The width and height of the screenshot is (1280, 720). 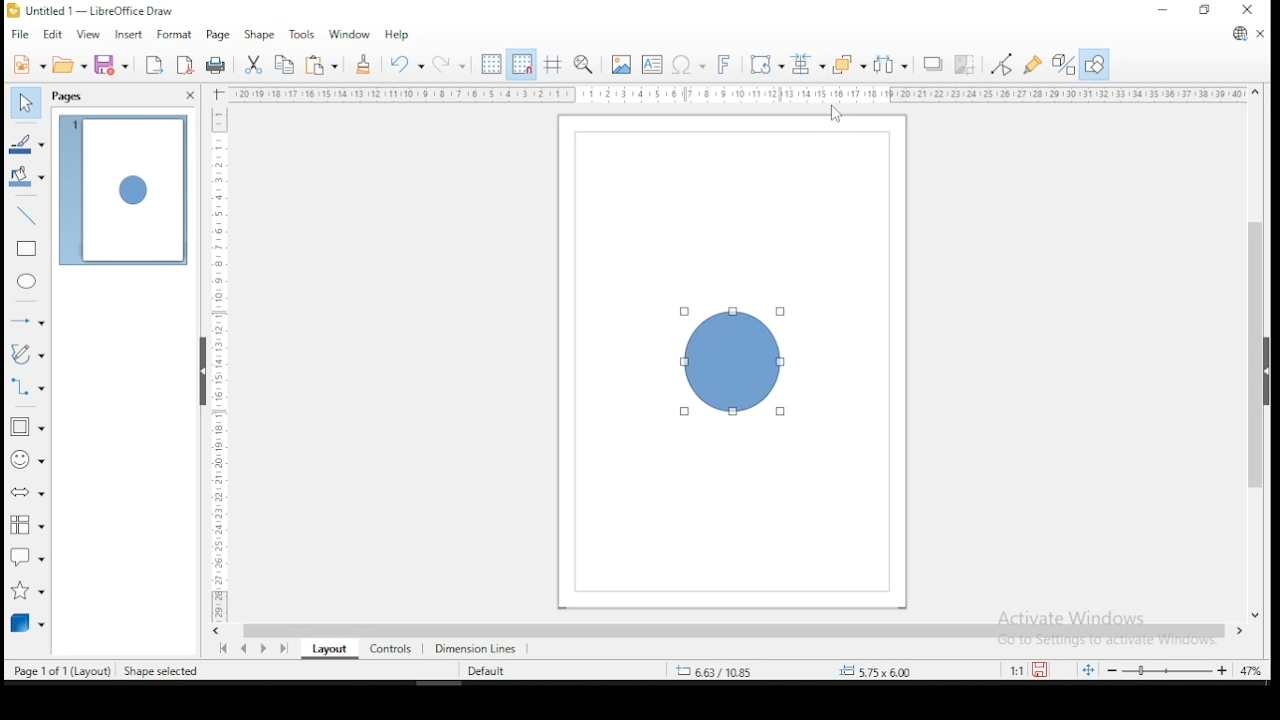 I want to click on clone formatting, so click(x=363, y=64).